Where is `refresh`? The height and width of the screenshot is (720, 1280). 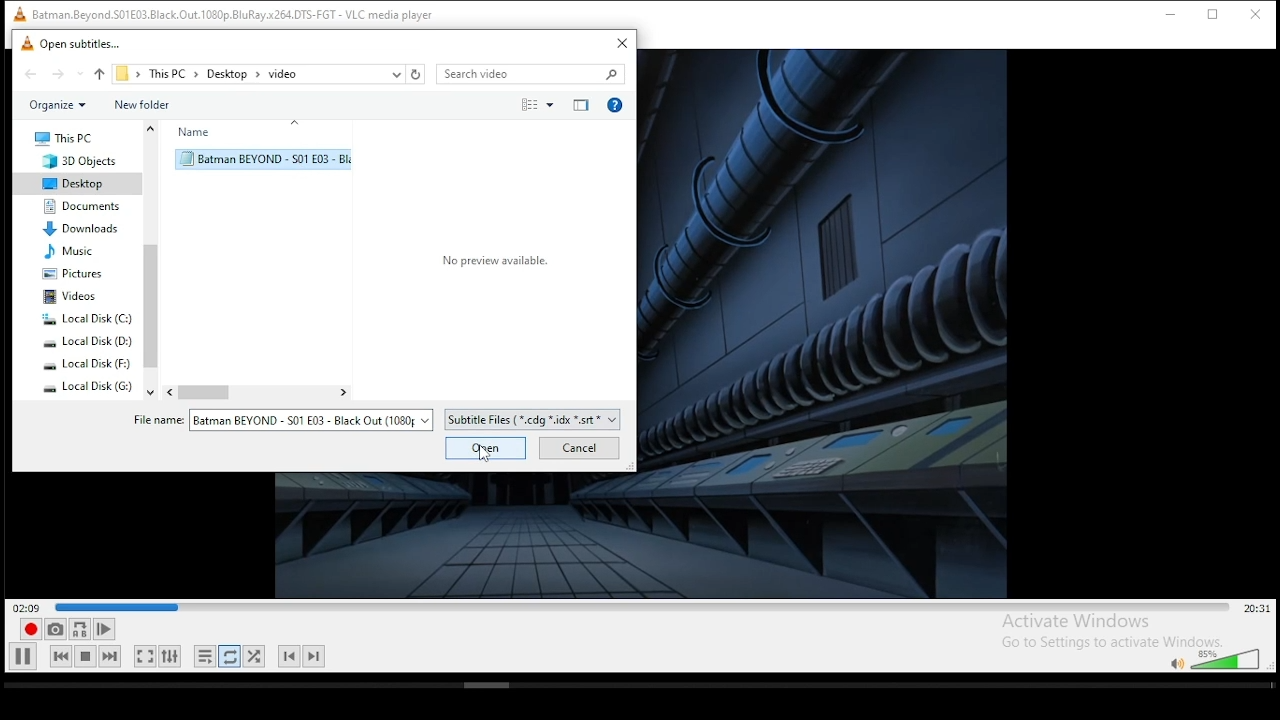 refresh is located at coordinates (417, 74).